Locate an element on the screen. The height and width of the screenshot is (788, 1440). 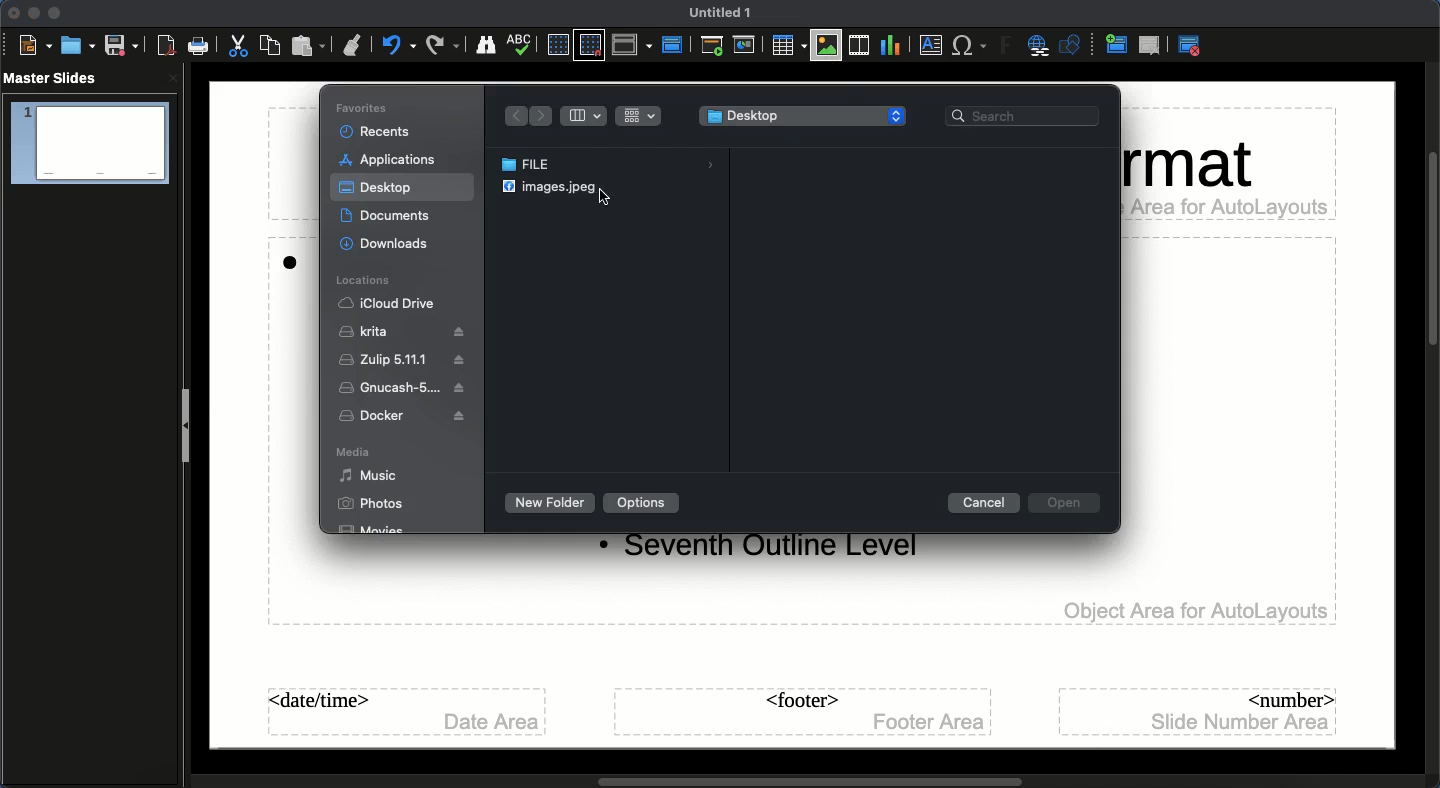
Krita is located at coordinates (403, 332).